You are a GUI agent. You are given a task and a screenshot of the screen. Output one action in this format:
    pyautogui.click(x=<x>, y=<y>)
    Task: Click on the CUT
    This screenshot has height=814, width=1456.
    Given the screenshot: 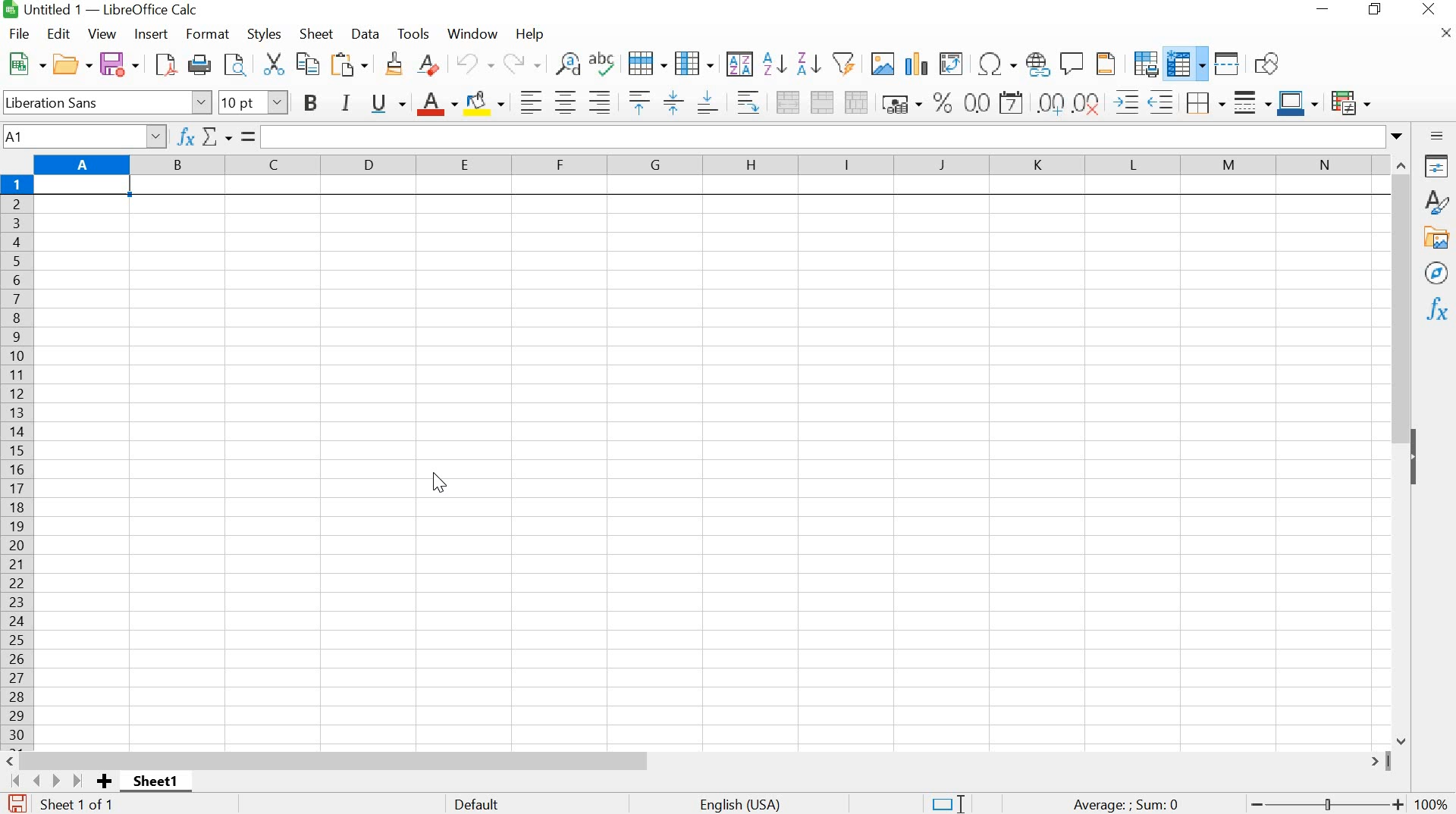 What is the action you would take?
    pyautogui.click(x=272, y=64)
    